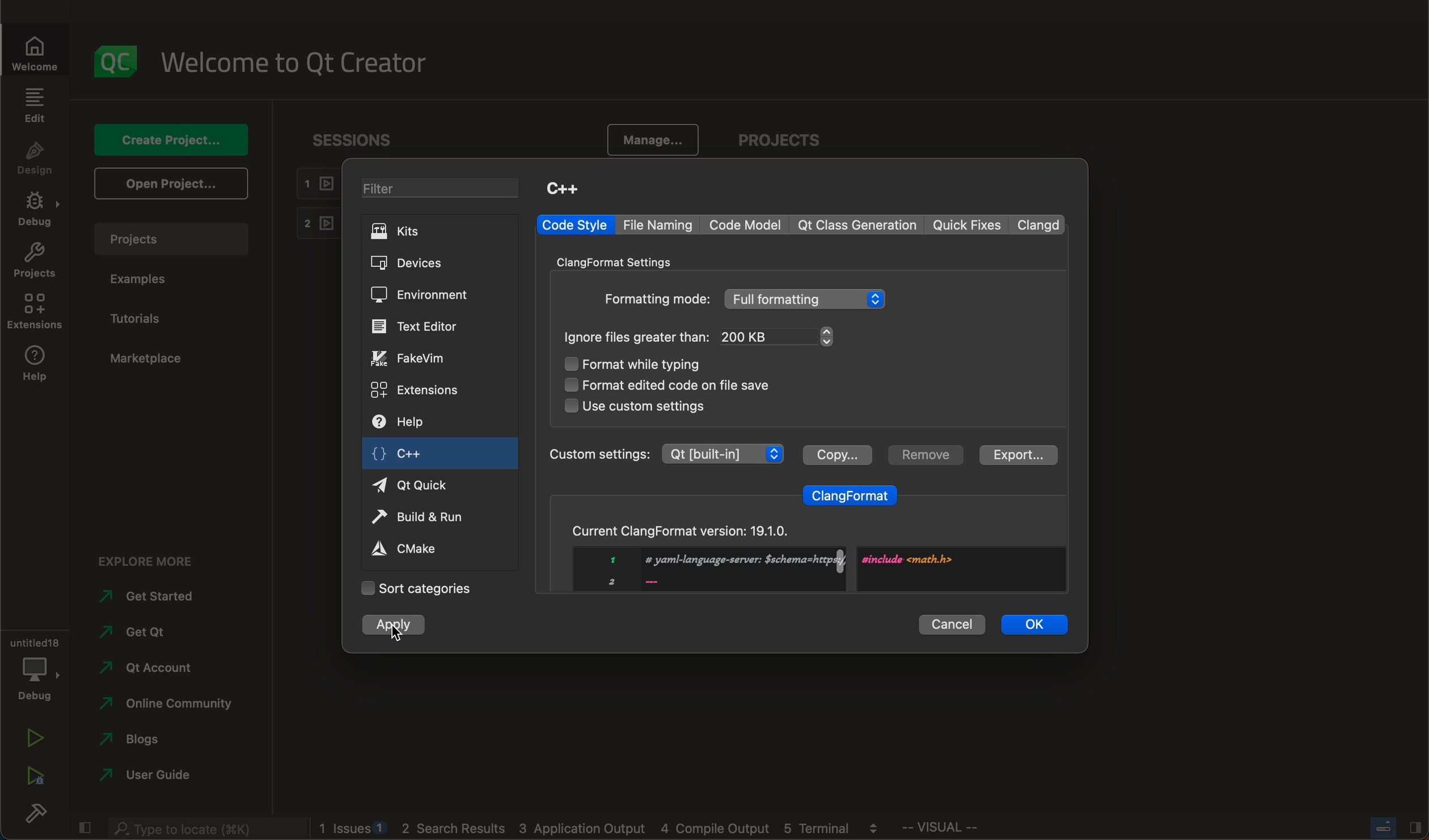  Describe the element at coordinates (665, 453) in the screenshot. I see `custom setting` at that location.